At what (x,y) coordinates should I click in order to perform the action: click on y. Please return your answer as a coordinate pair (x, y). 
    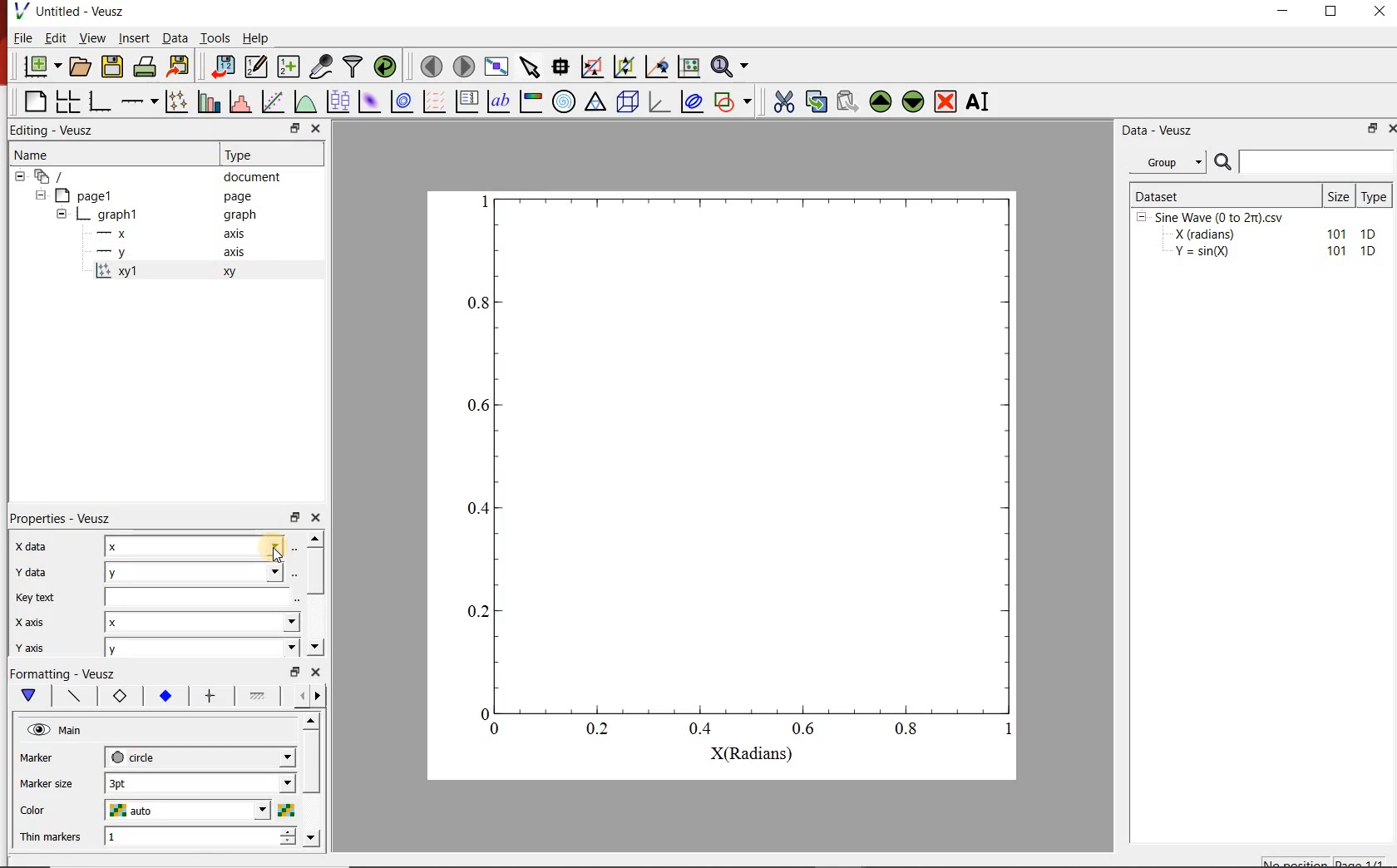
    Looking at the image, I should click on (202, 648).